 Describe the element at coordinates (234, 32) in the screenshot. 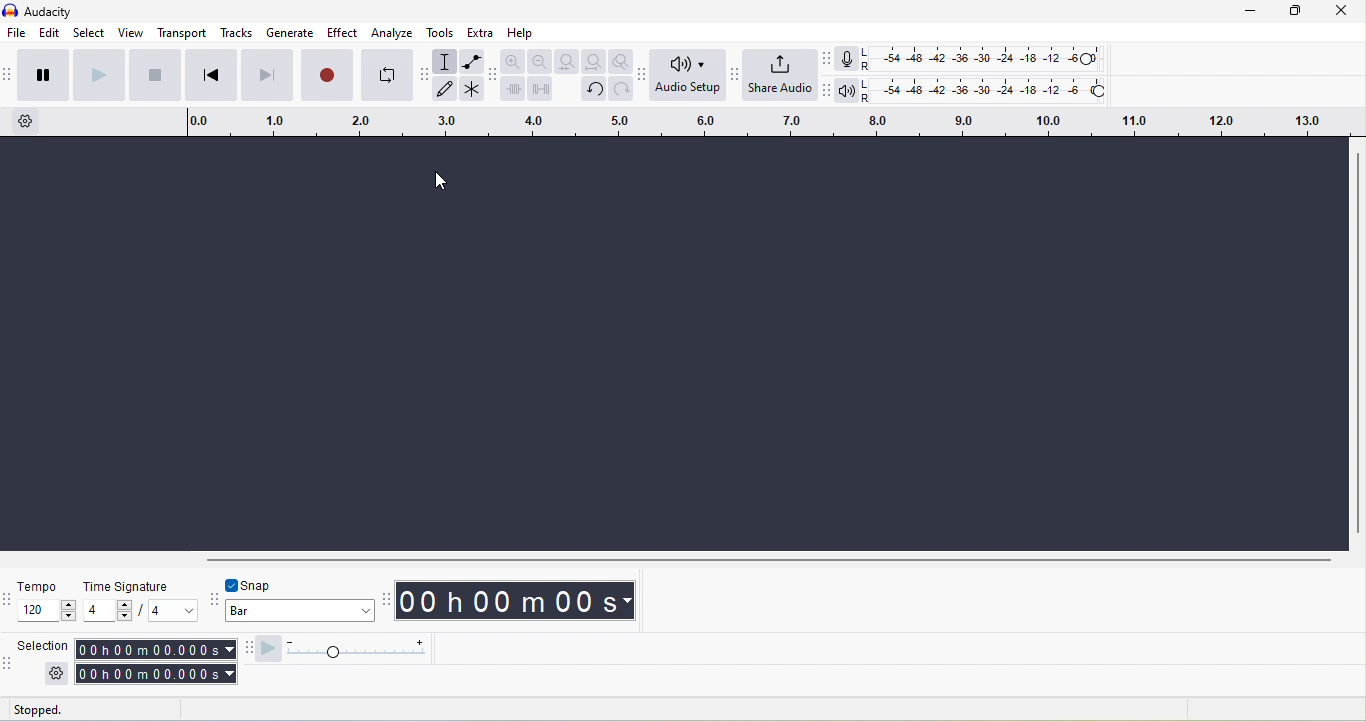

I see `tracks` at that location.